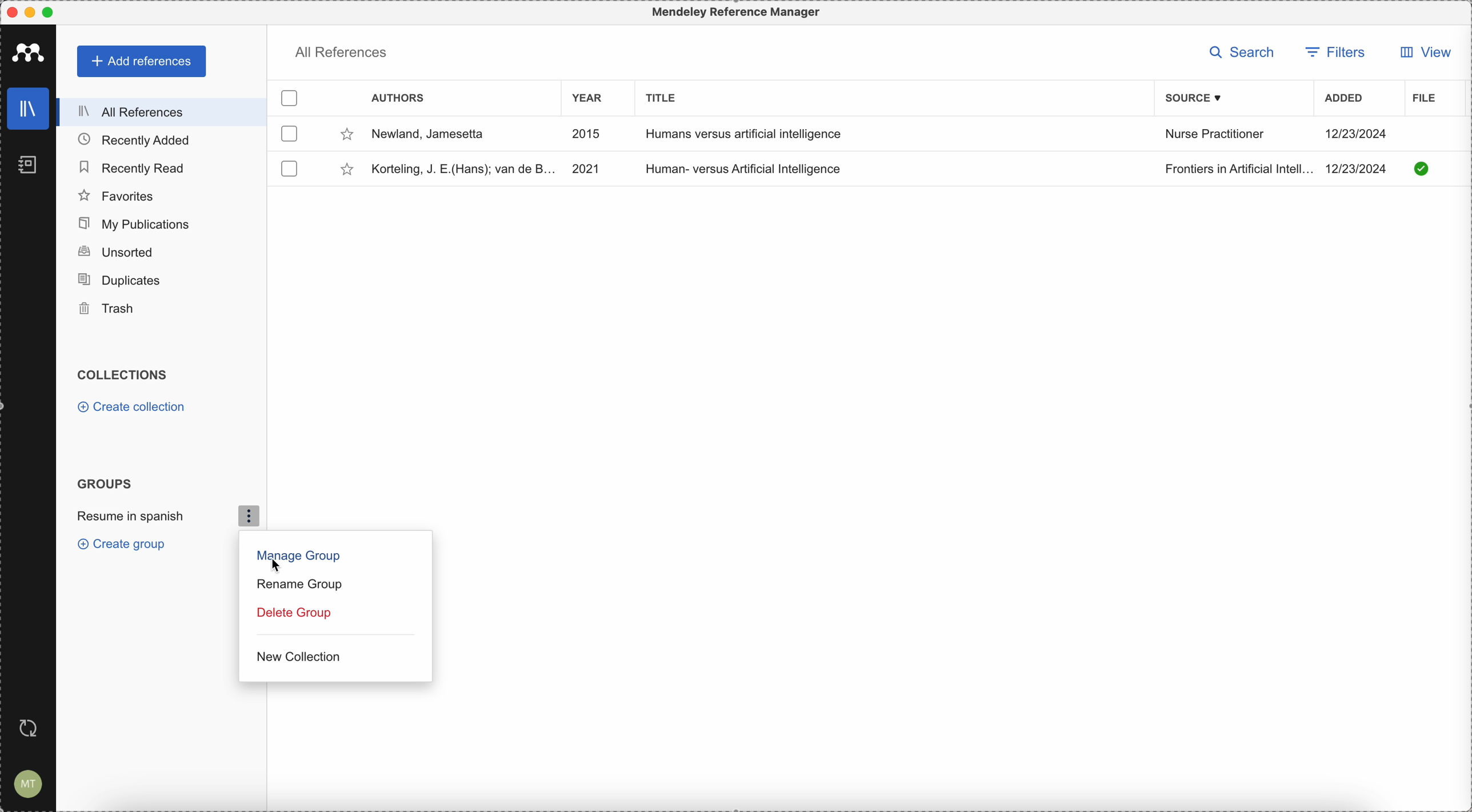 This screenshot has height=812, width=1472. What do you see at coordinates (733, 13) in the screenshot?
I see `Mendeley Reference Manager` at bounding box center [733, 13].